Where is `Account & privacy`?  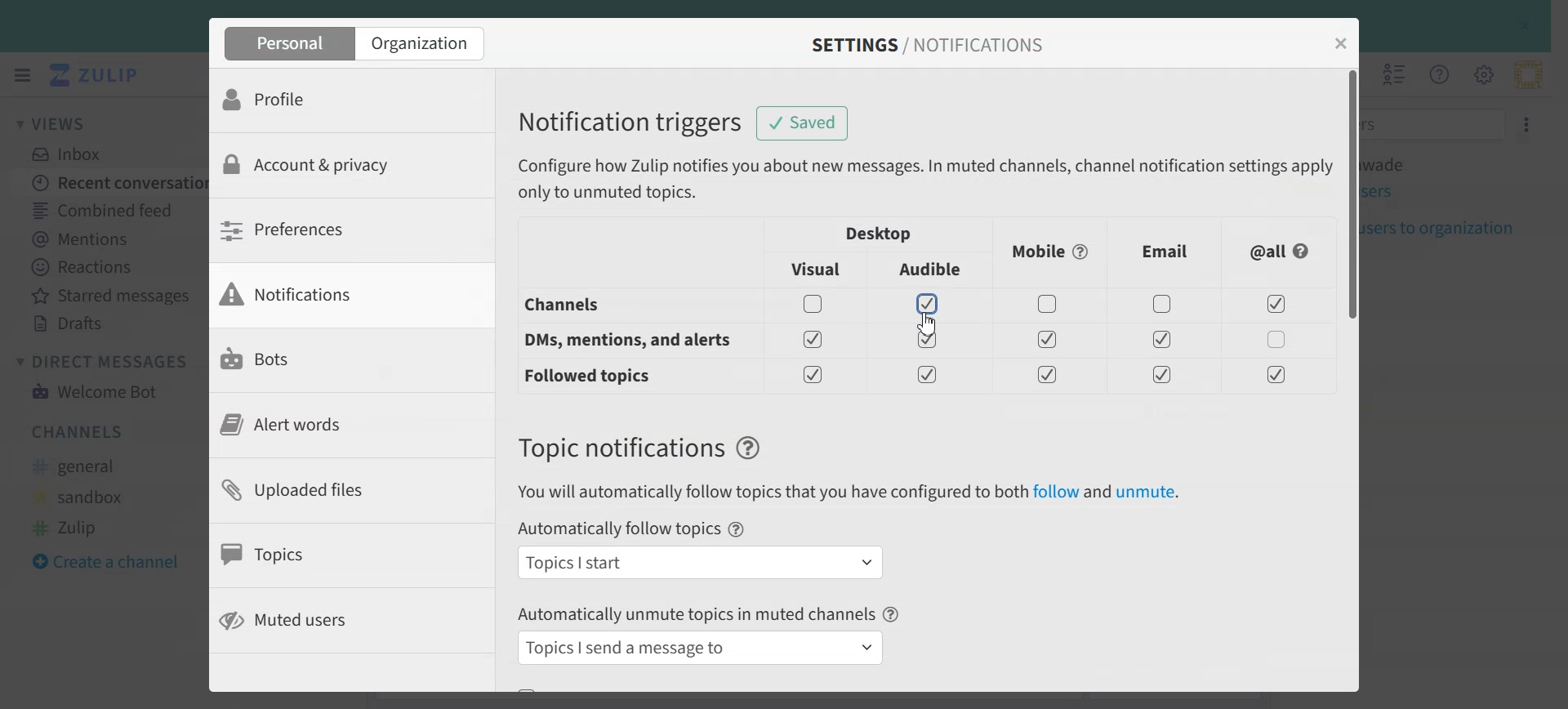
Account & privacy is located at coordinates (332, 165).